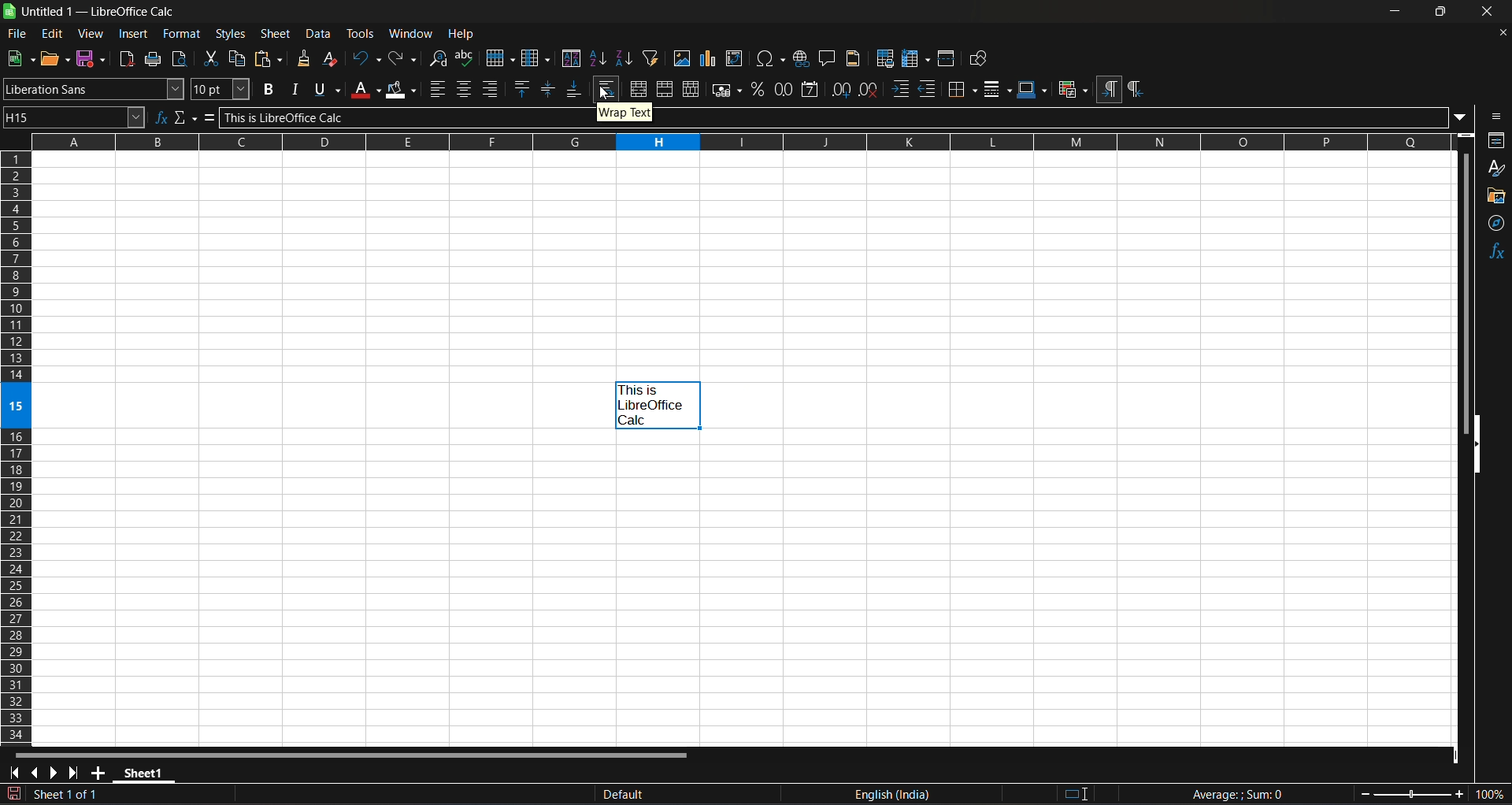  Describe the element at coordinates (1496, 165) in the screenshot. I see `styles` at that location.